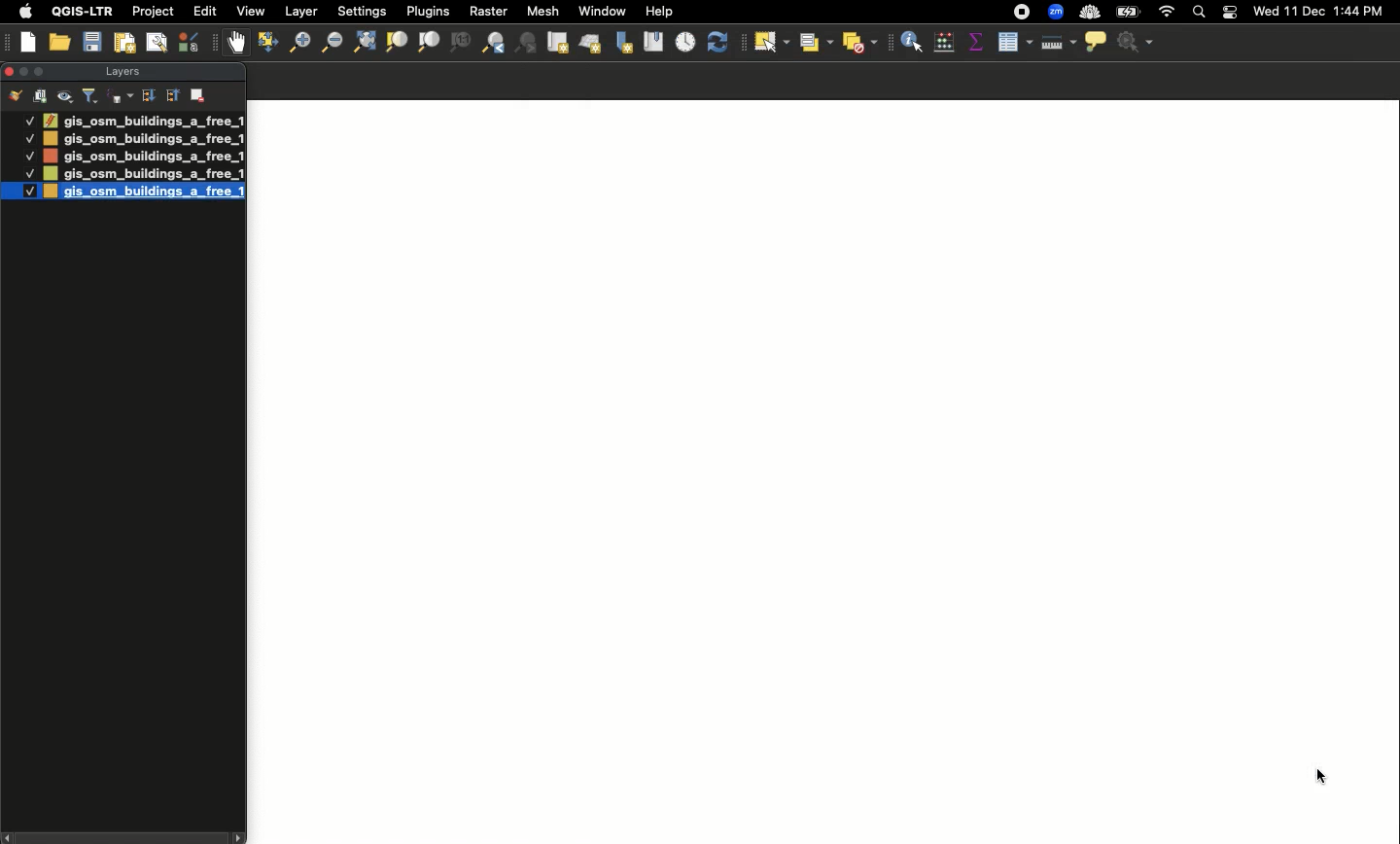 This screenshot has height=844, width=1400. I want to click on Clsoe, so click(9, 71).